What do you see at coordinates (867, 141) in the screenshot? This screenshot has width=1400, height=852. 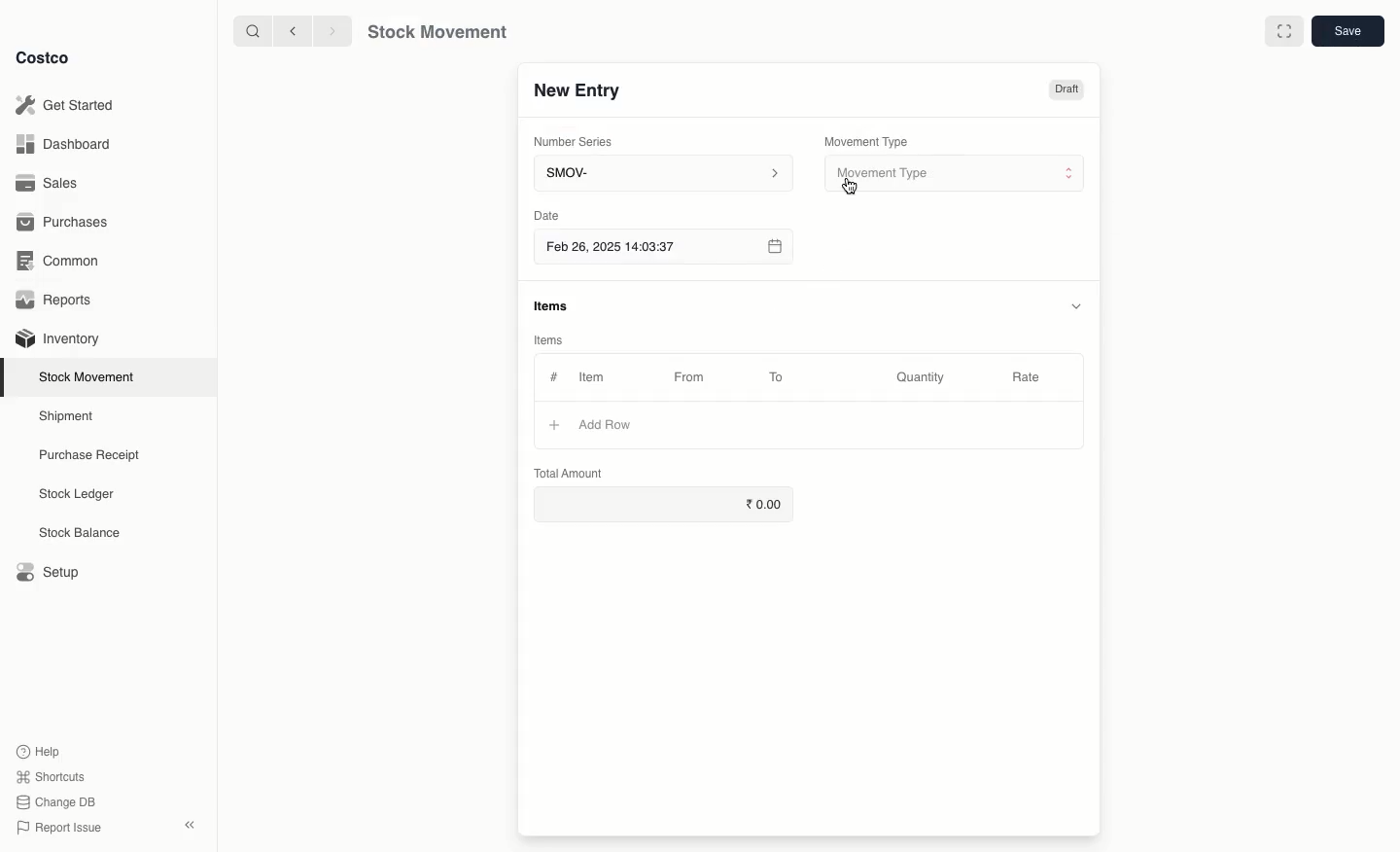 I see `Movement Type` at bounding box center [867, 141].